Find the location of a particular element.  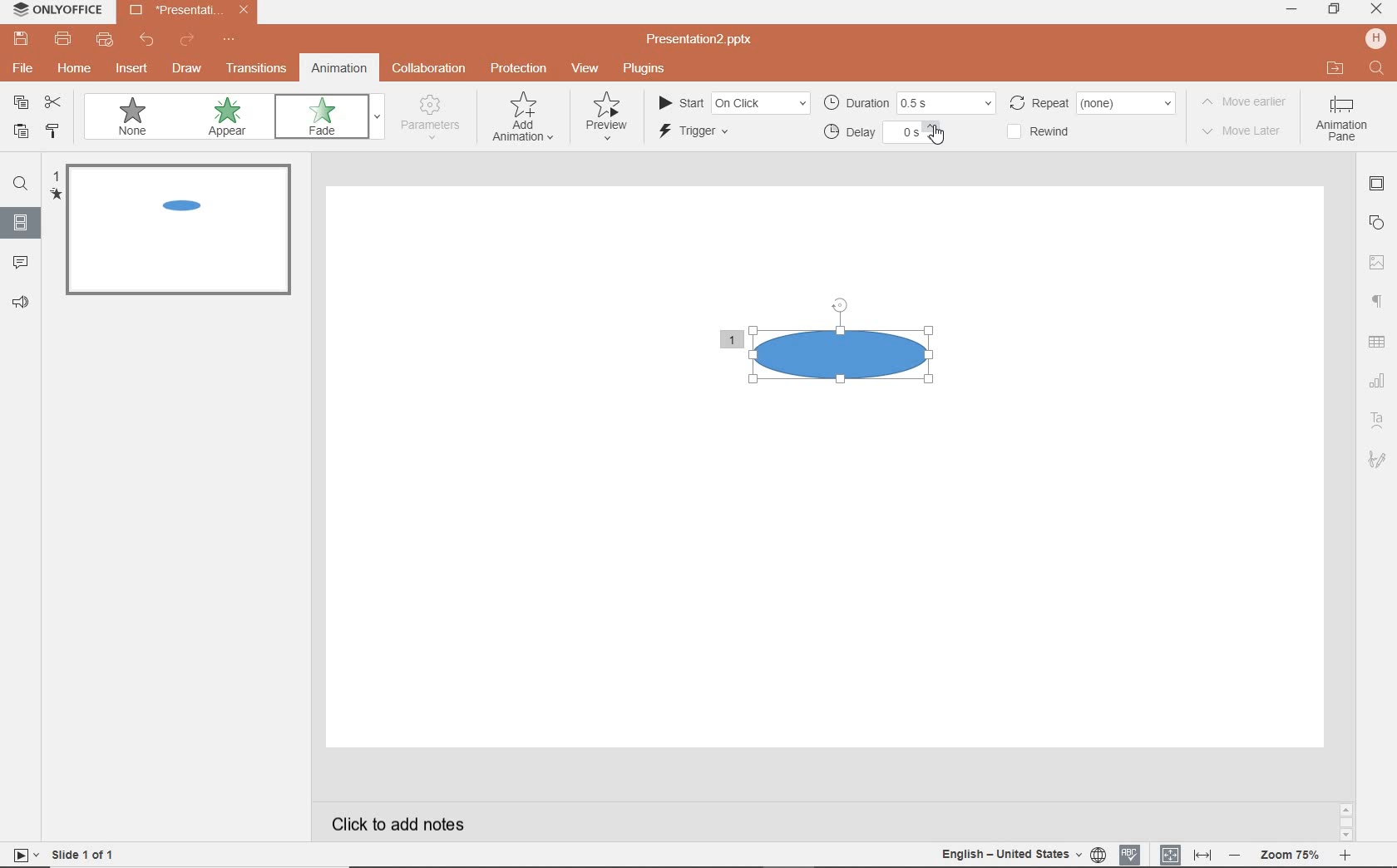

click to add notes is located at coordinates (401, 824).